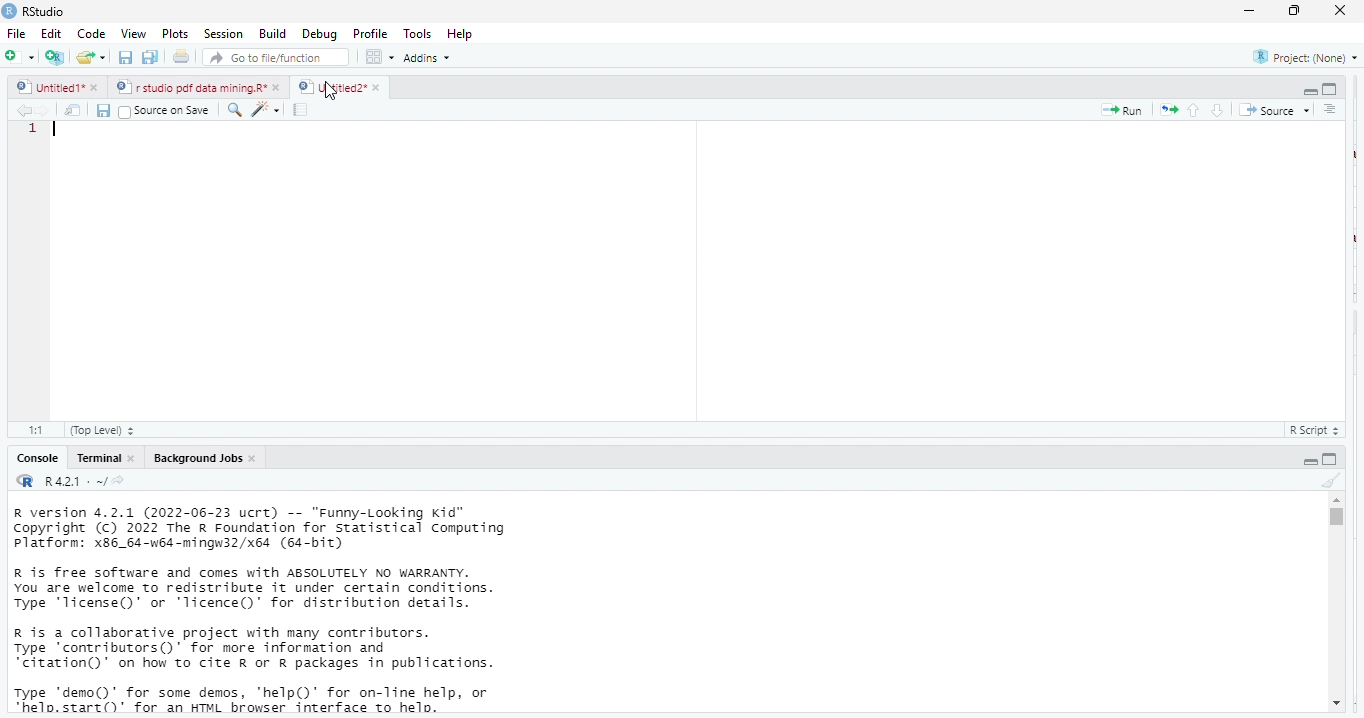 The image size is (1364, 718). I want to click on file, so click(18, 33).